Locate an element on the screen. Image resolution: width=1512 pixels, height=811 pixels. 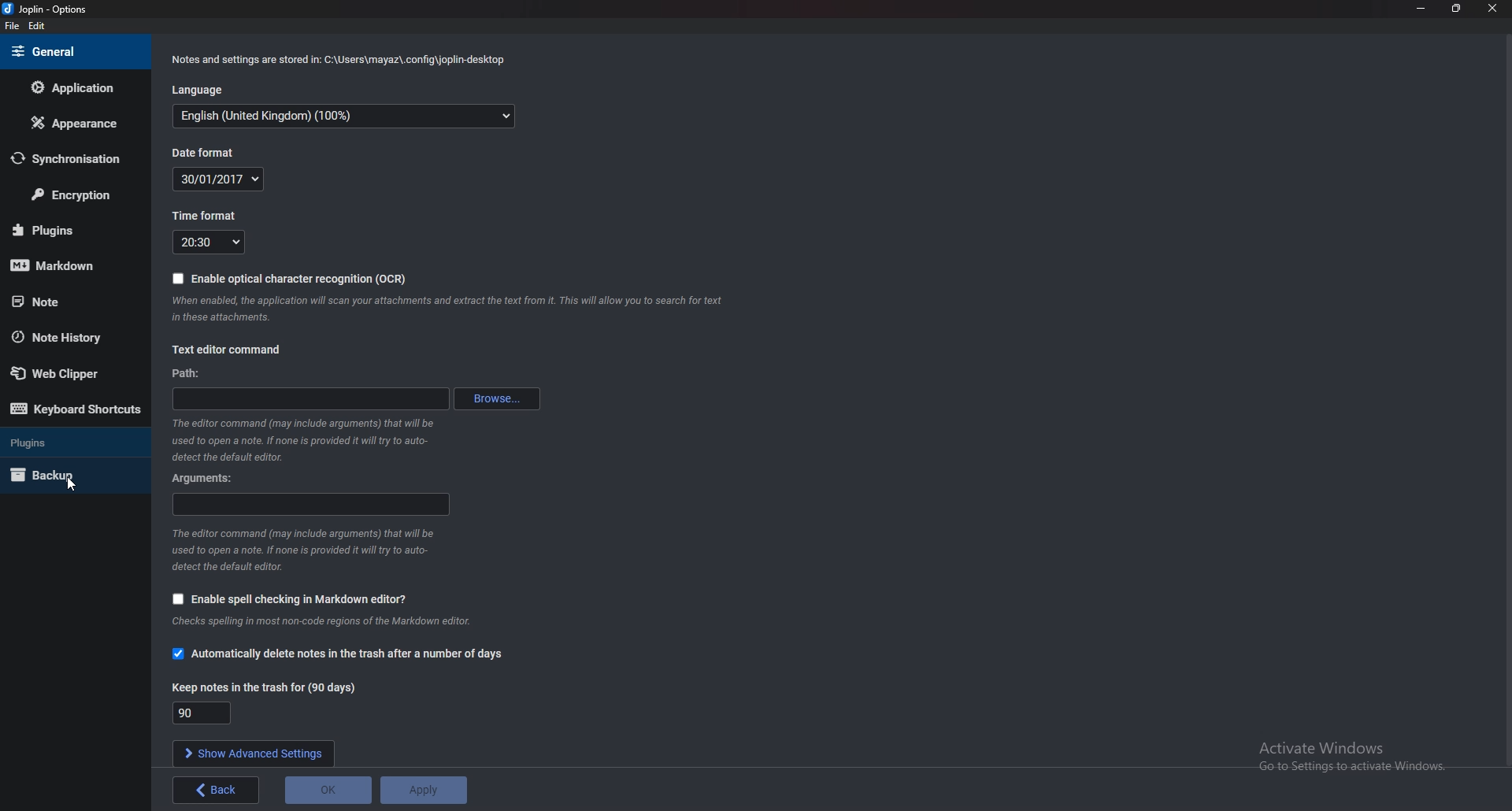
Web Clipper is located at coordinates (73, 373).